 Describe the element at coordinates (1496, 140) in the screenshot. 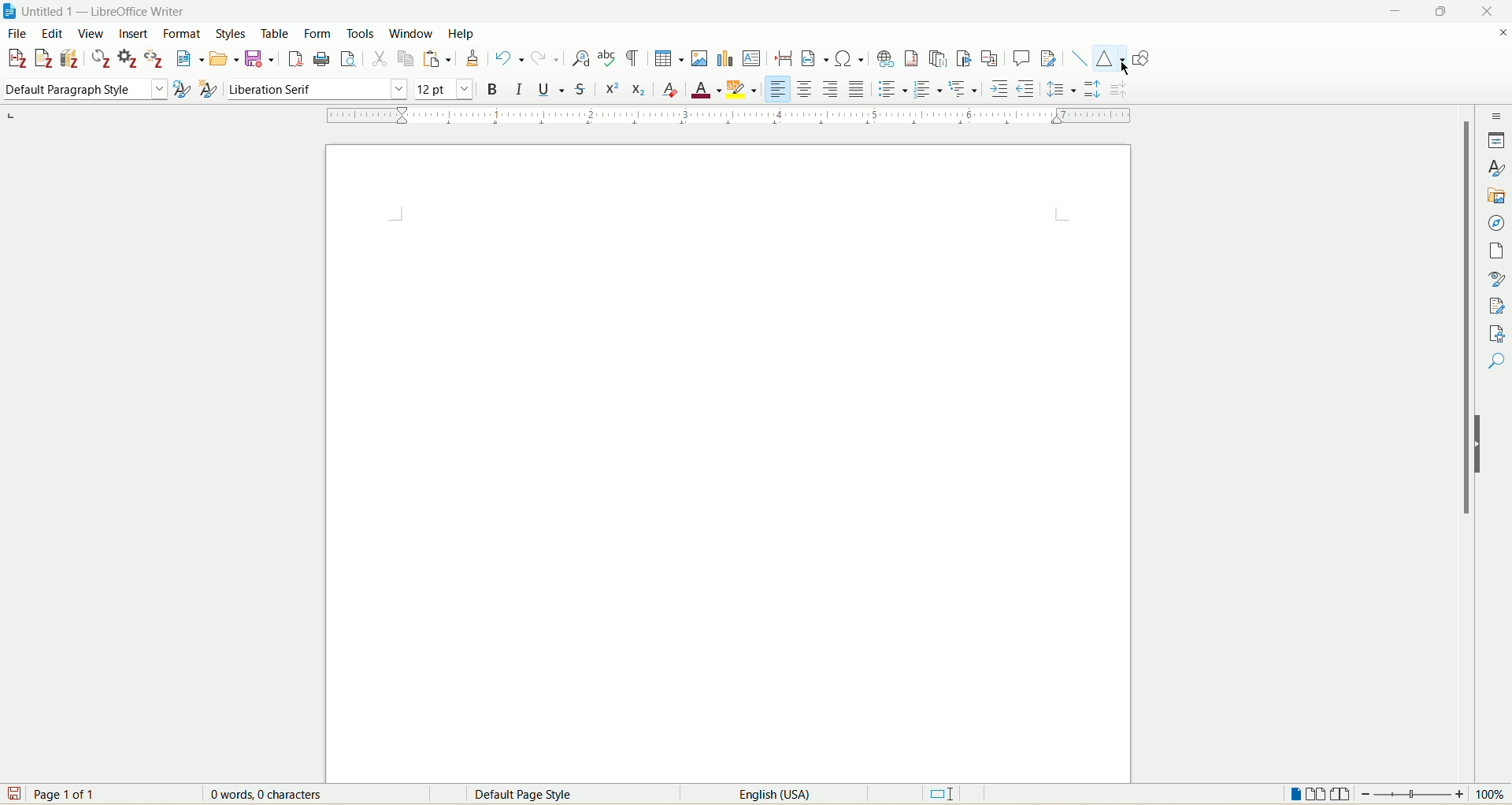

I see `properties` at that location.